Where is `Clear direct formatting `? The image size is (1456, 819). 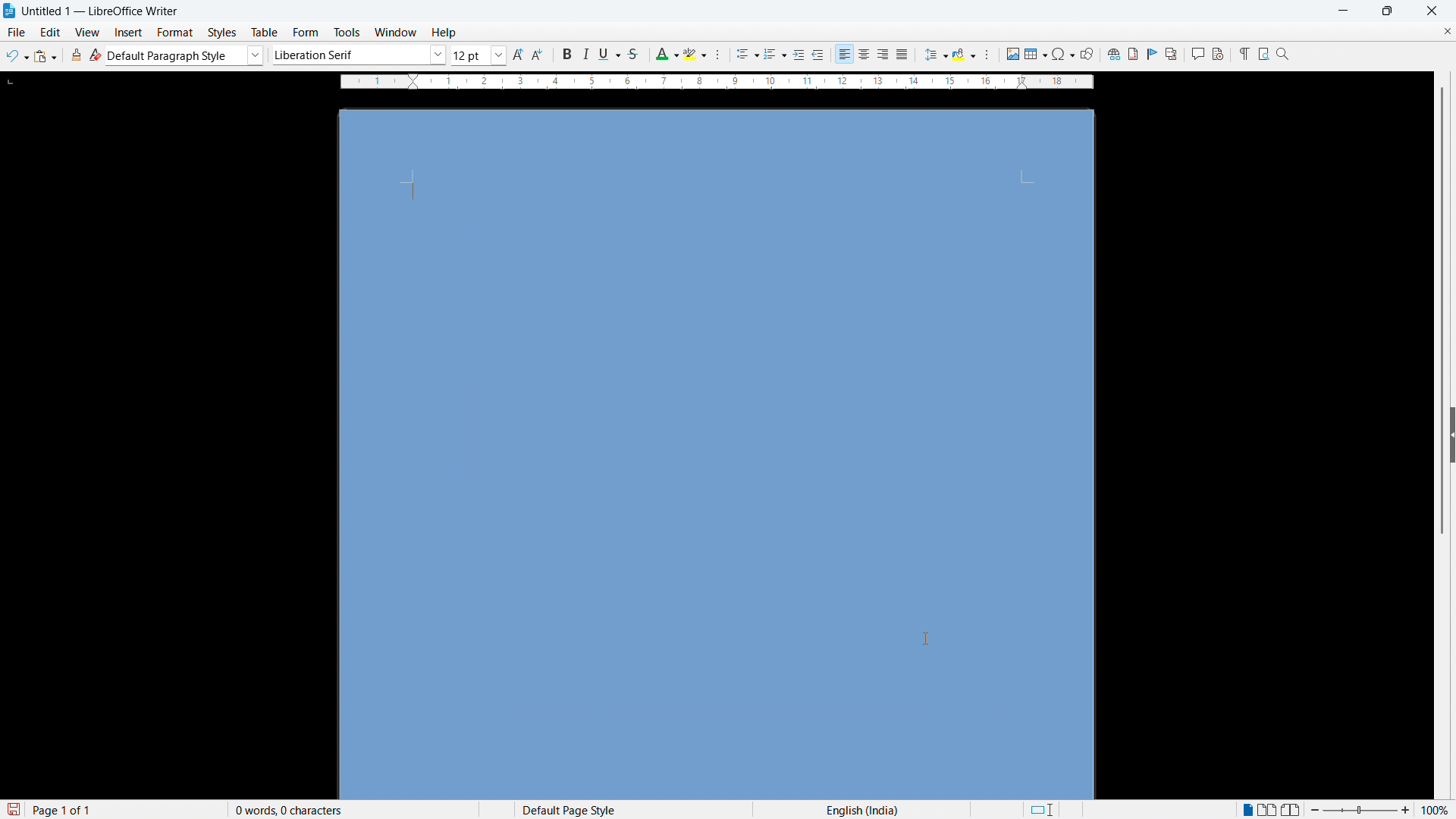 Clear direct formatting  is located at coordinates (96, 55).